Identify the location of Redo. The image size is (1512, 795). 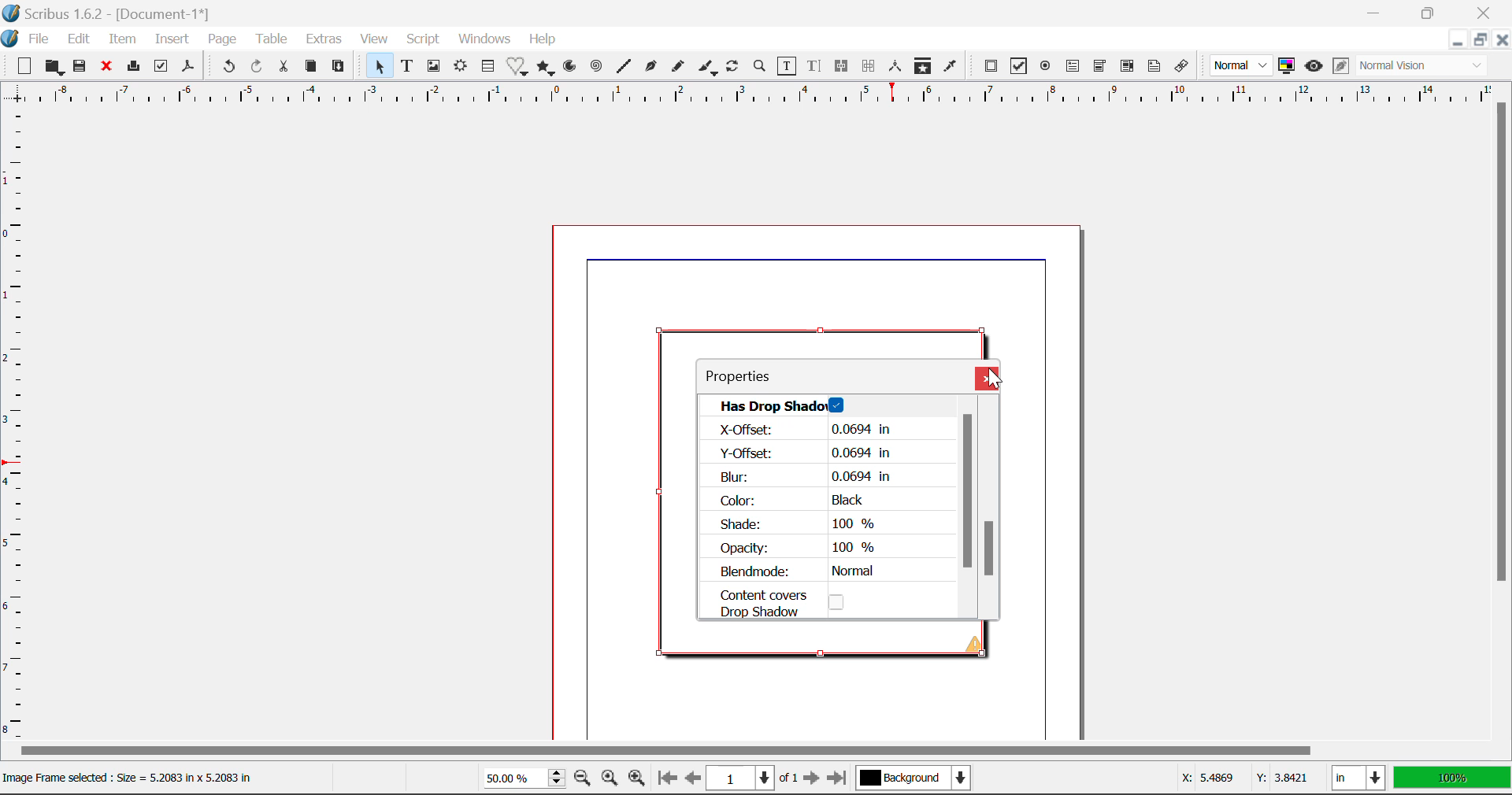
(258, 68).